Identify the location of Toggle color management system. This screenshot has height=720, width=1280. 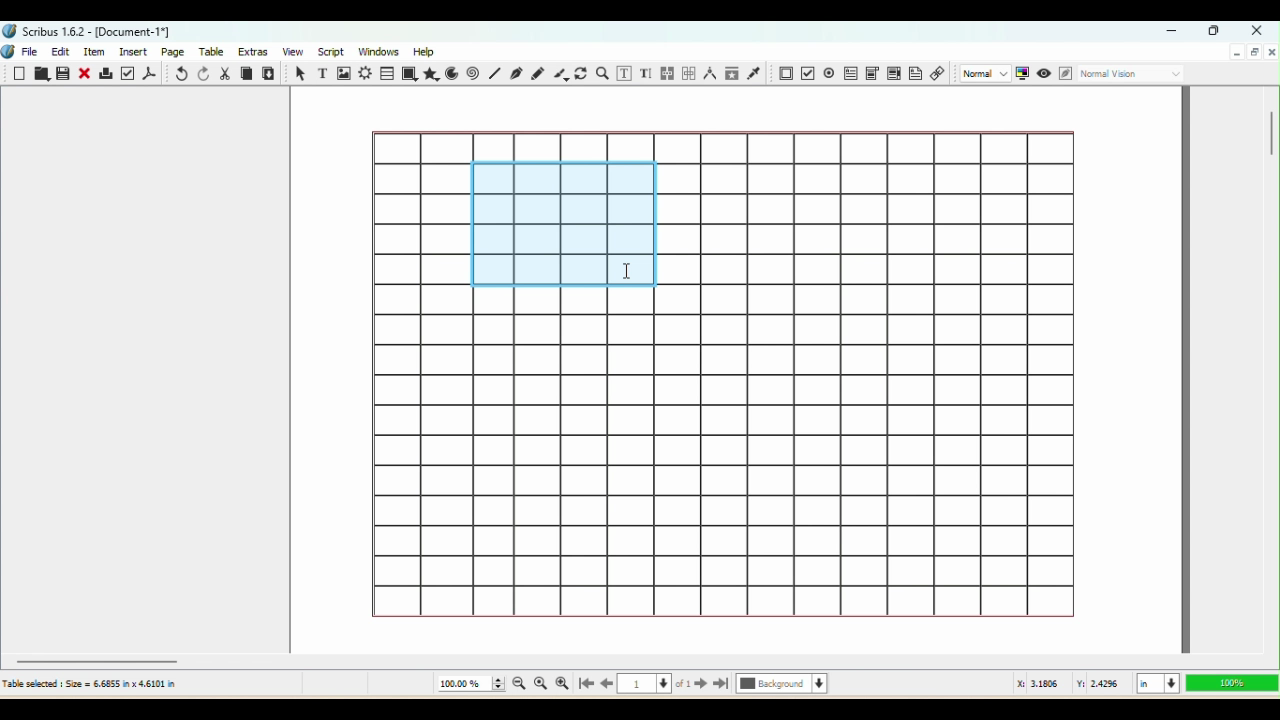
(1022, 74).